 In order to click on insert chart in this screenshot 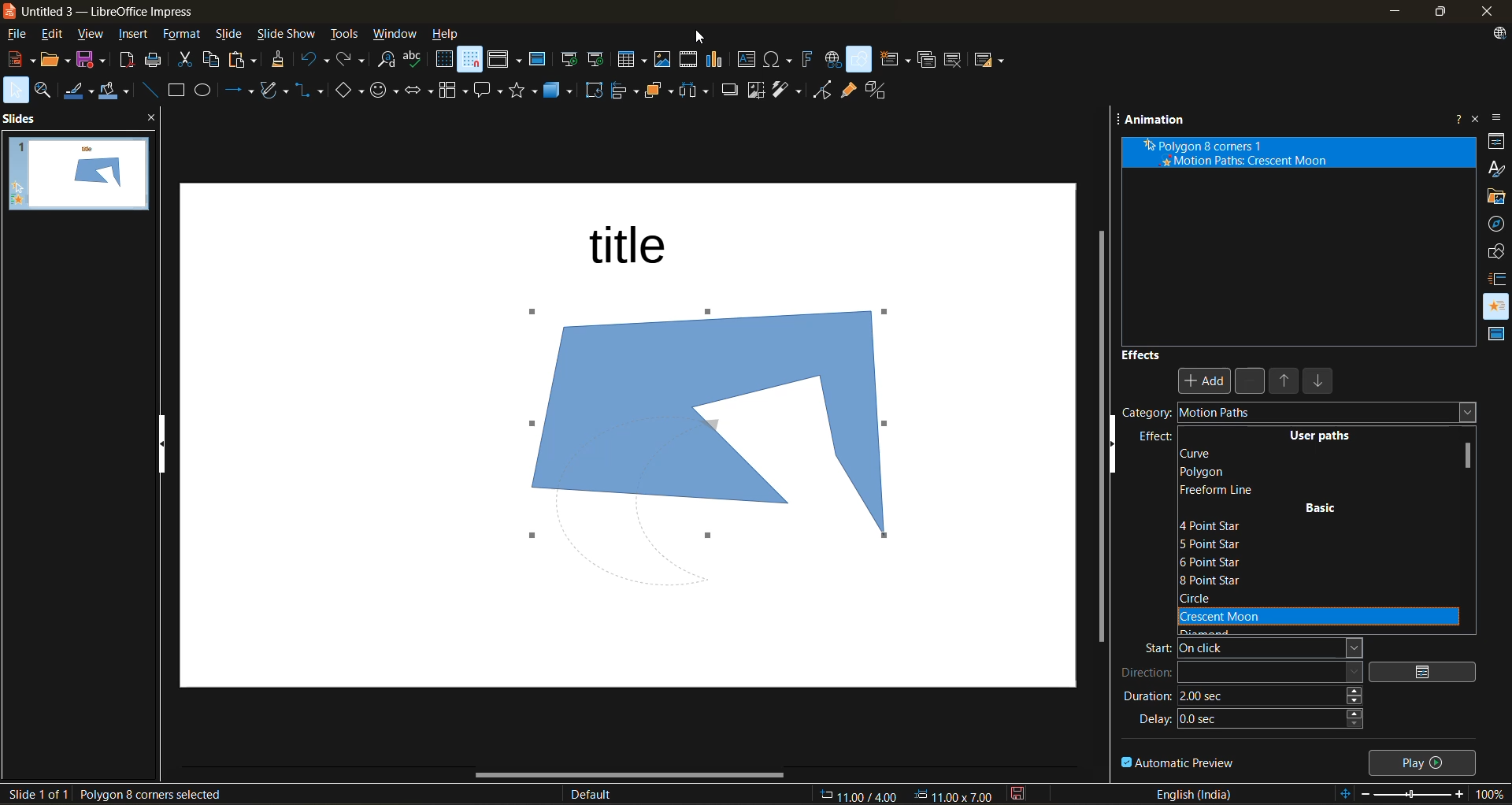, I will do `click(714, 60)`.